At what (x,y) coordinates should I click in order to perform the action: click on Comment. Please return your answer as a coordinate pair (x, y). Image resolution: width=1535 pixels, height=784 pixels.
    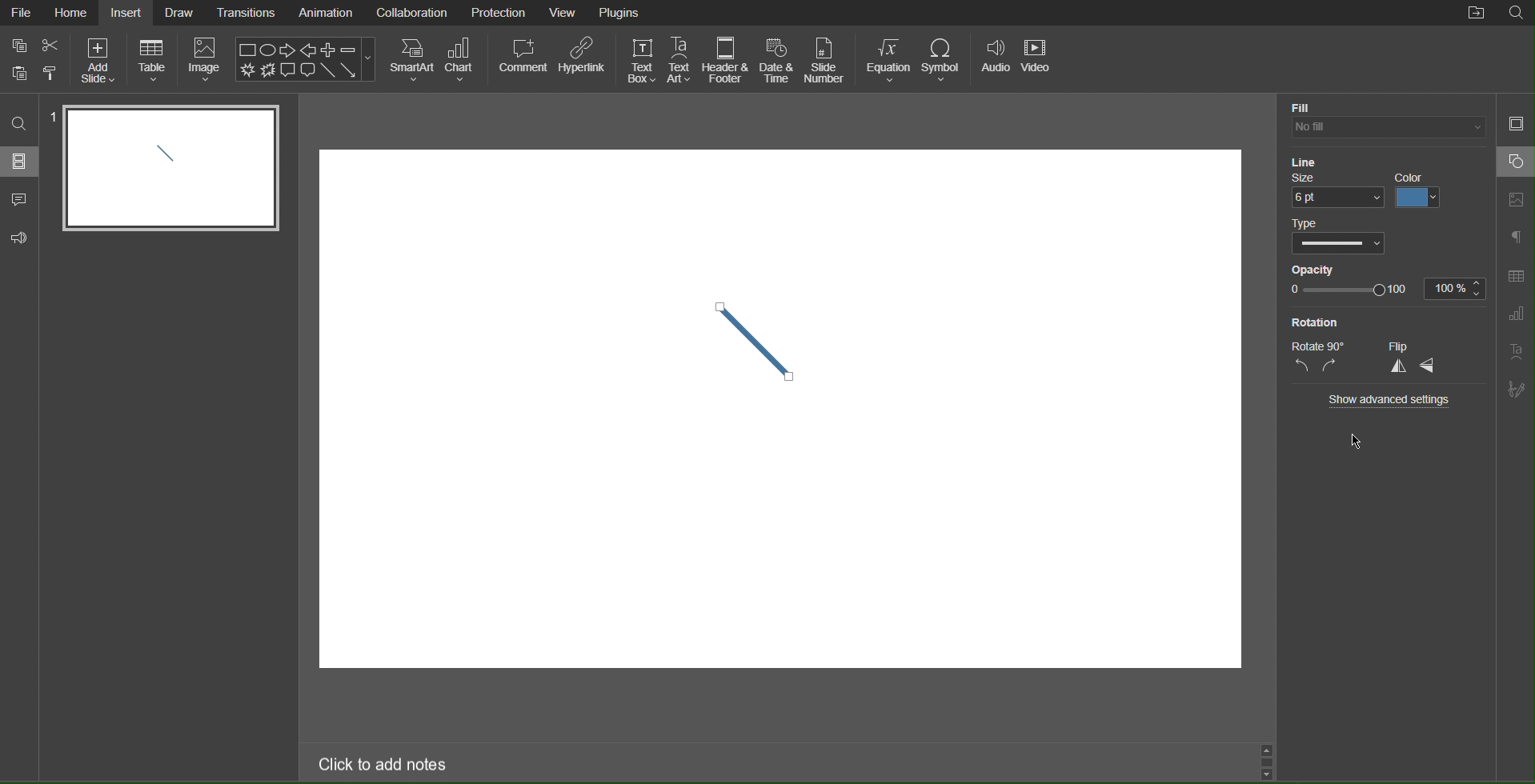
    Looking at the image, I should click on (522, 60).